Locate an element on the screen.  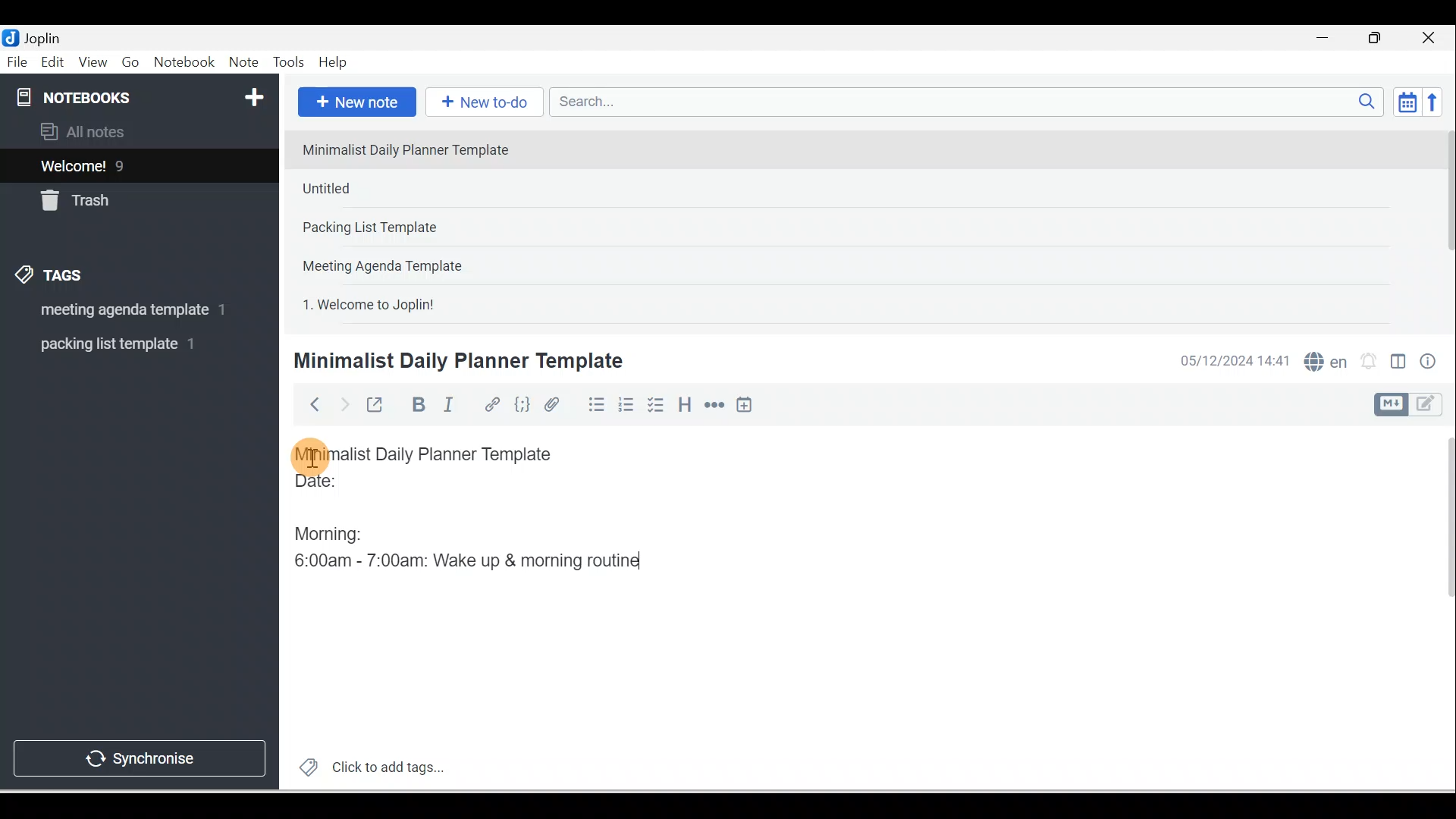
Insert time is located at coordinates (744, 406).